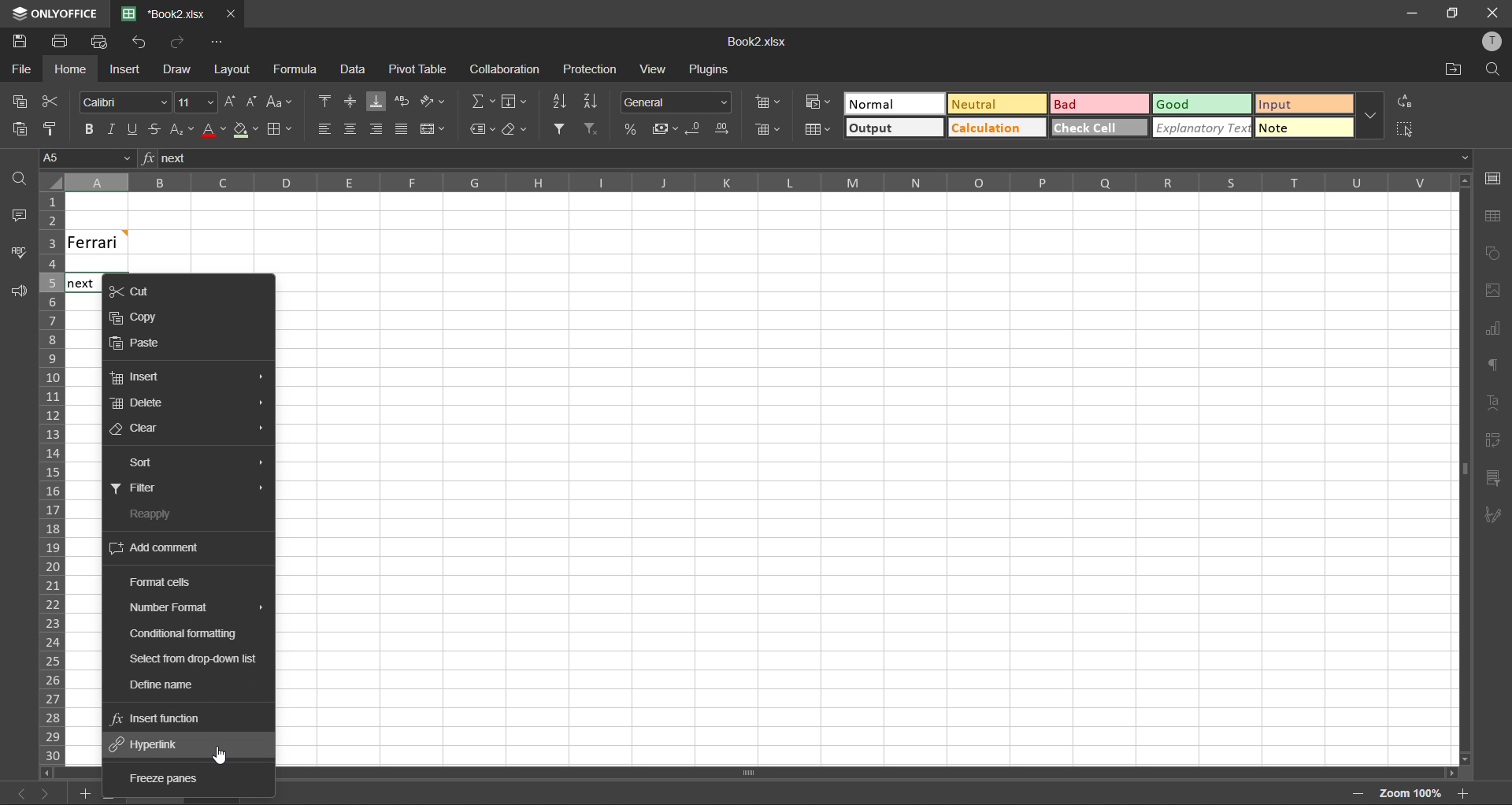 The height and width of the screenshot is (805, 1512). Describe the element at coordinates (805, 158) in the screenshot. I see `formula bar` at that location.